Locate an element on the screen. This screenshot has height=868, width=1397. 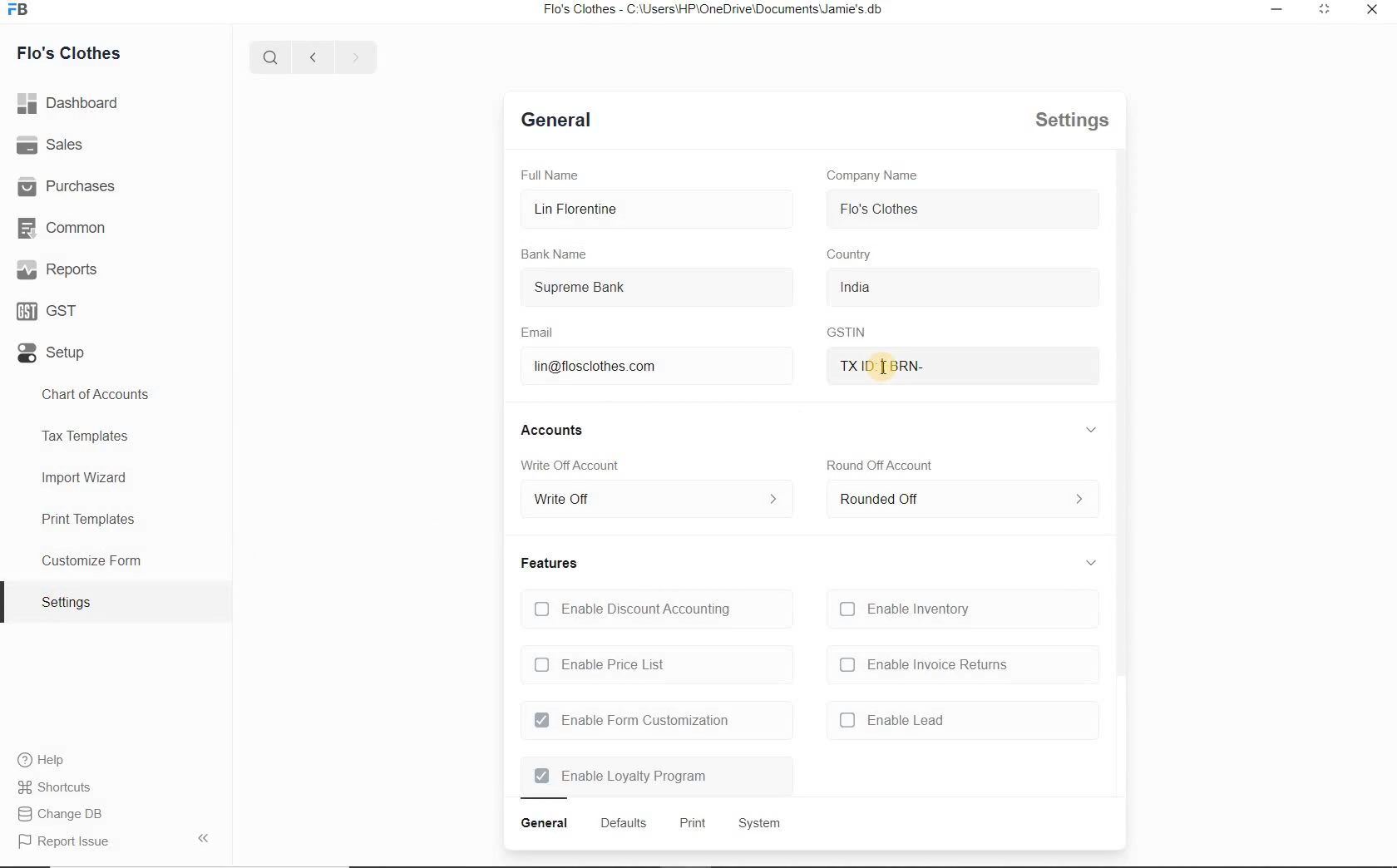
Write Off account is located at coordinates (575, 467).